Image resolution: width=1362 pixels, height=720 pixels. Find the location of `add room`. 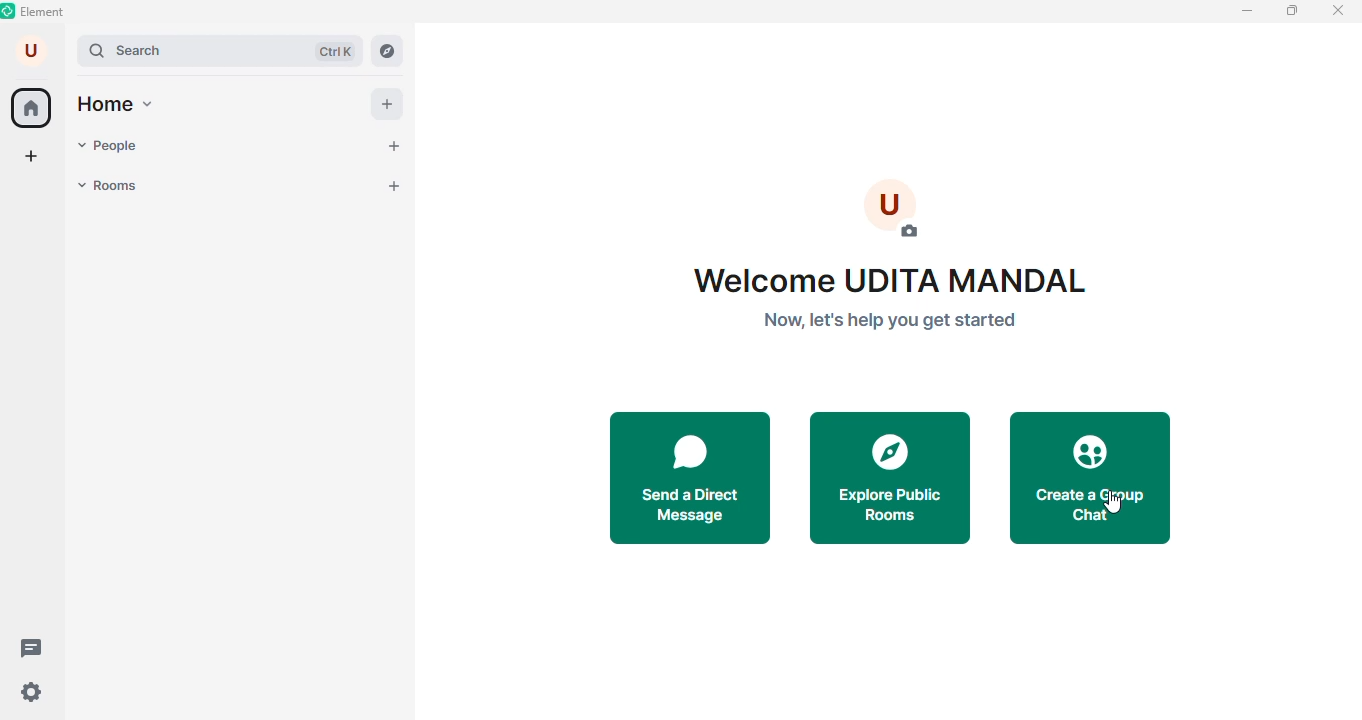

add room is located at coordinates (392, 185).